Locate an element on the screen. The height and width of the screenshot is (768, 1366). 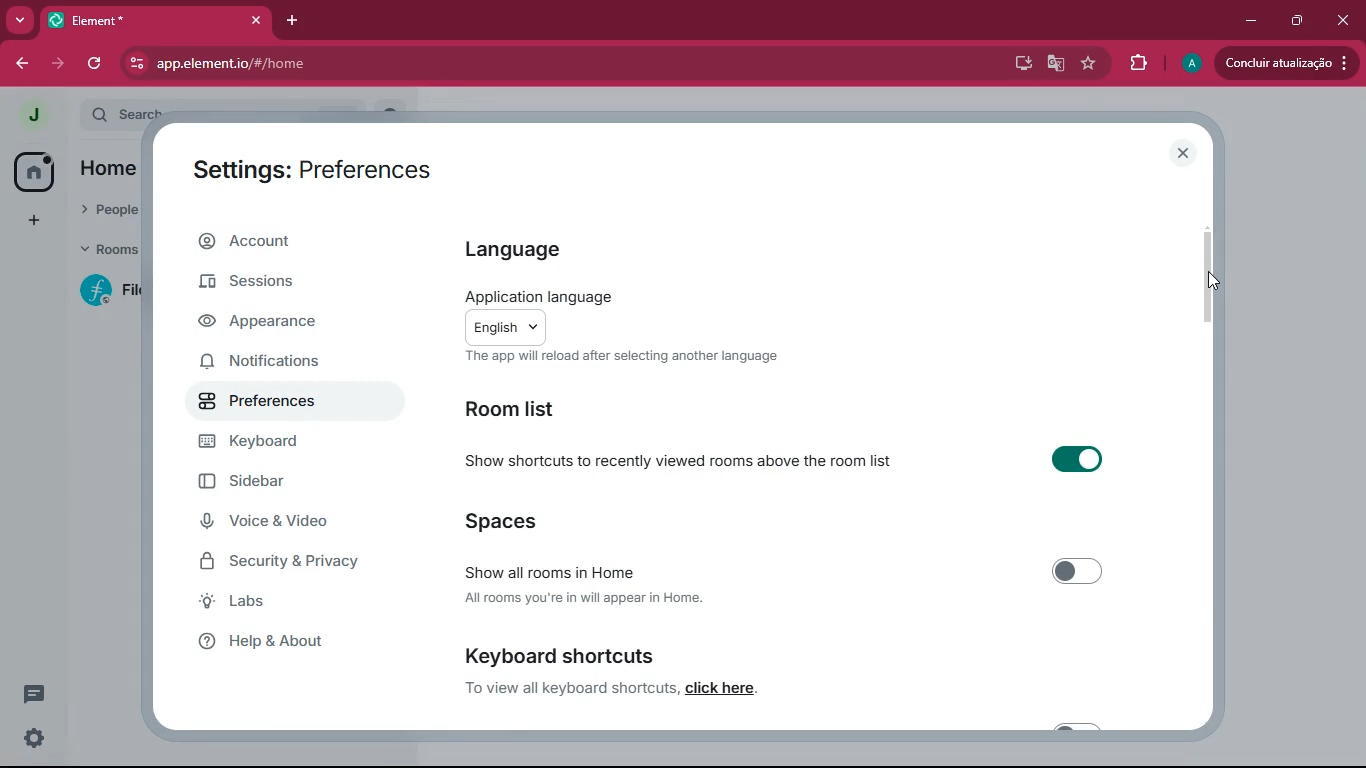
rooms is located at coordinates (103, 252).